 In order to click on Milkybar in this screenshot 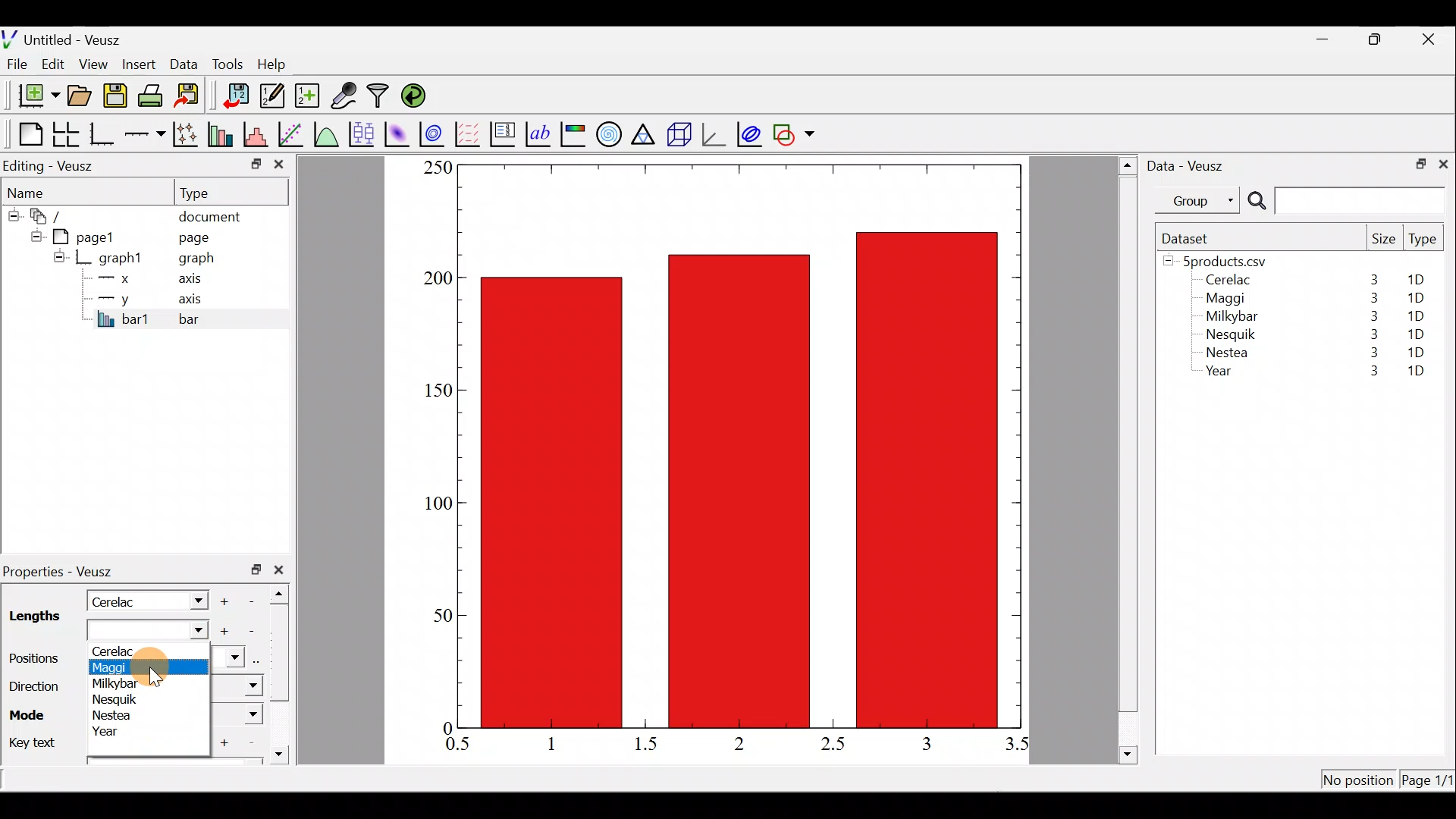, I will do `click(119, 684)`.